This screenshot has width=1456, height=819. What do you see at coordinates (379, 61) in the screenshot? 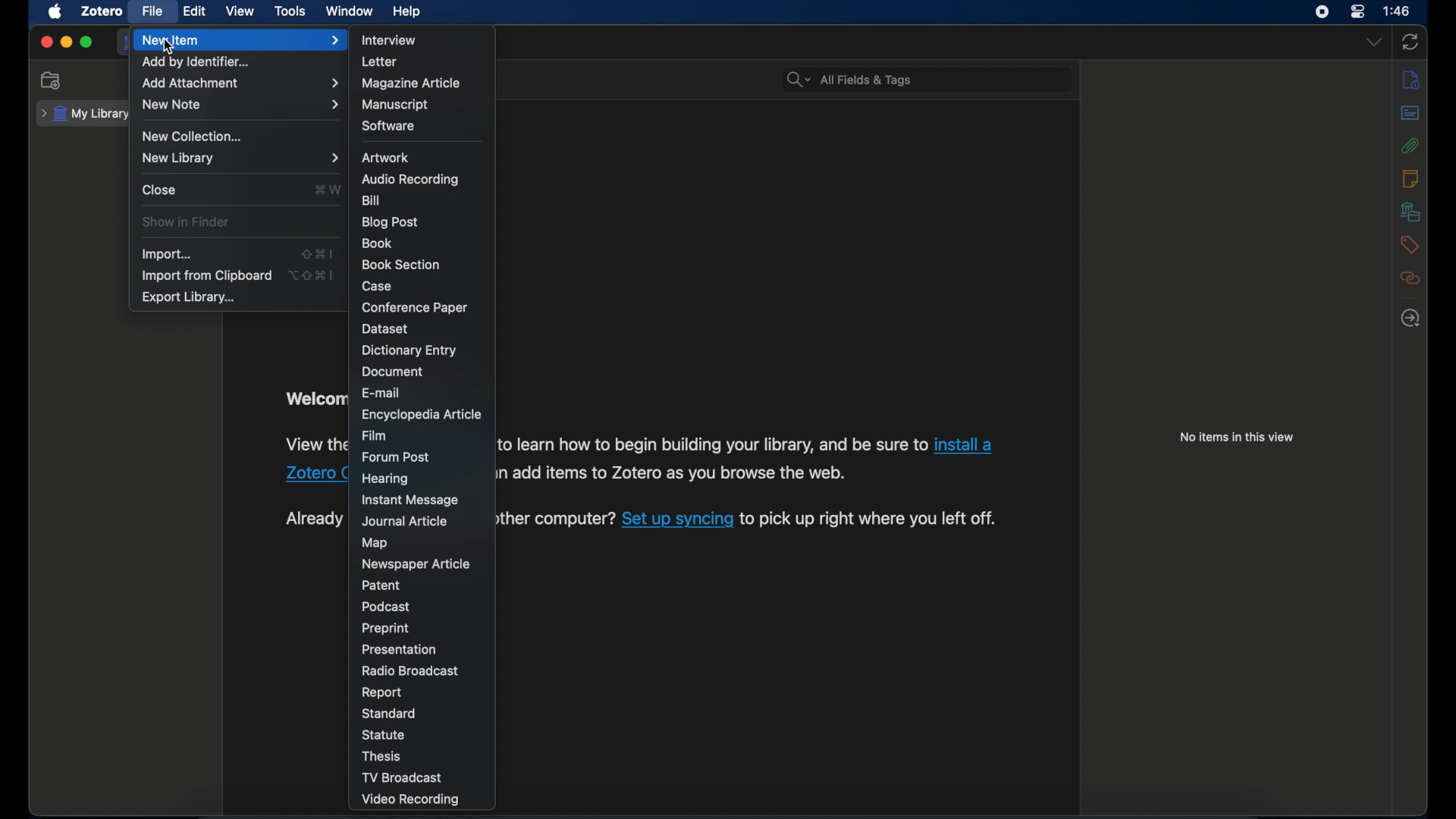
I see `letter` at bounding box center [379, 61].